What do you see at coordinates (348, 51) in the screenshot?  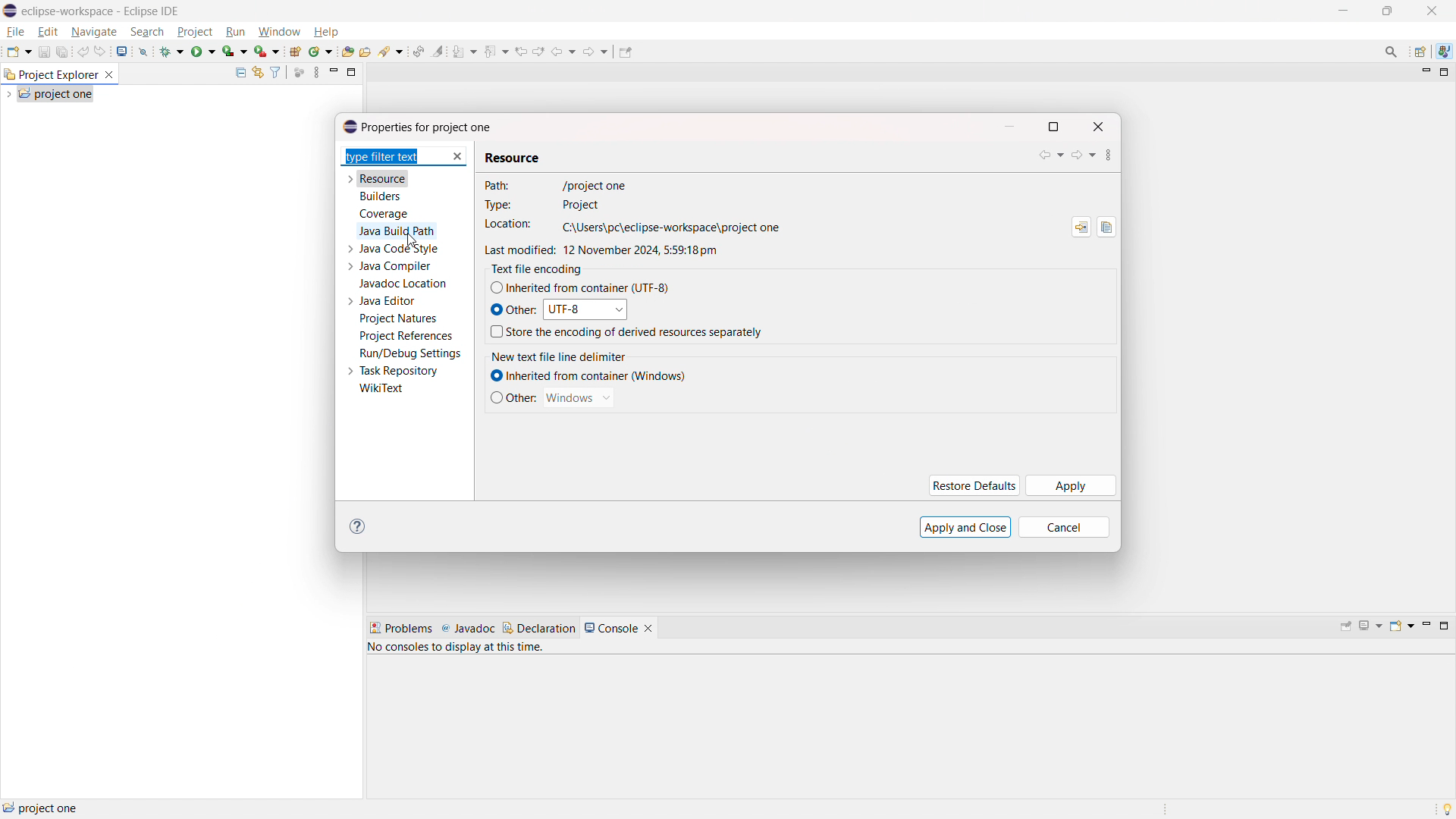 I see `open type` at bounding box center [348, 51].